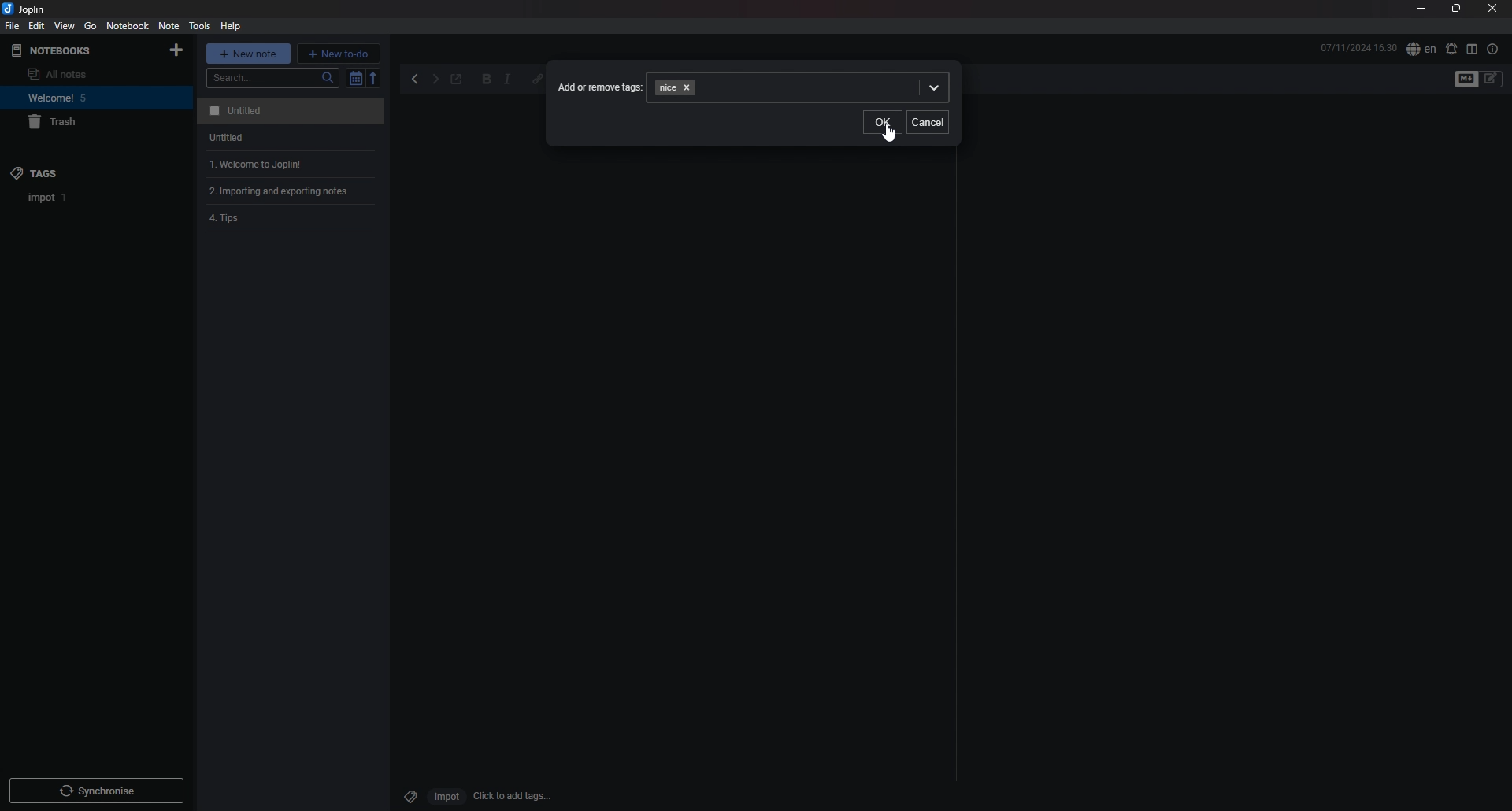 The image size is (1512, 811). Describe the element at coordinates (76, 172) in the screenshot. I see `tags` at that location.